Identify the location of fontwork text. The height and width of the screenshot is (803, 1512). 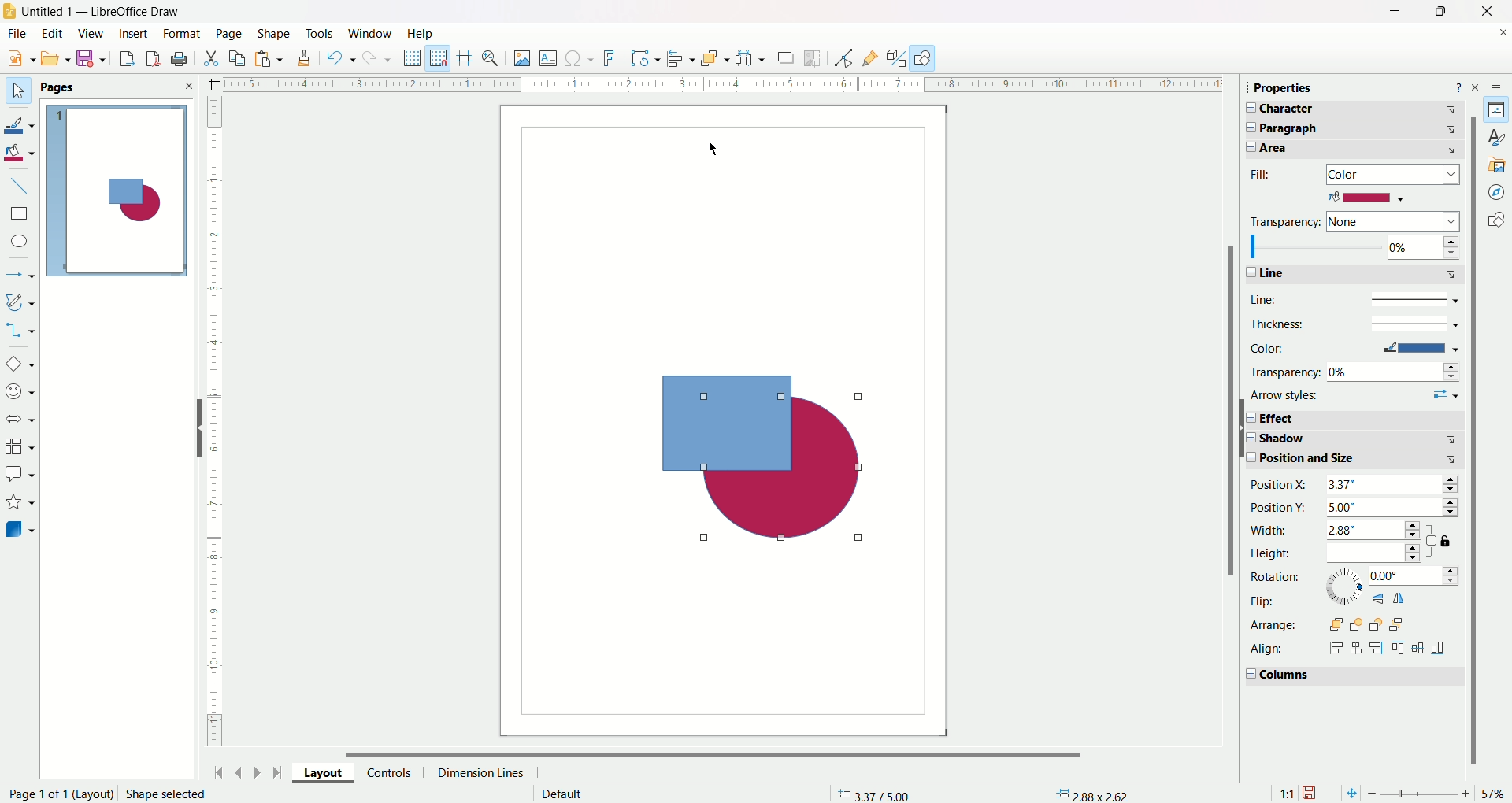
(610, 59).